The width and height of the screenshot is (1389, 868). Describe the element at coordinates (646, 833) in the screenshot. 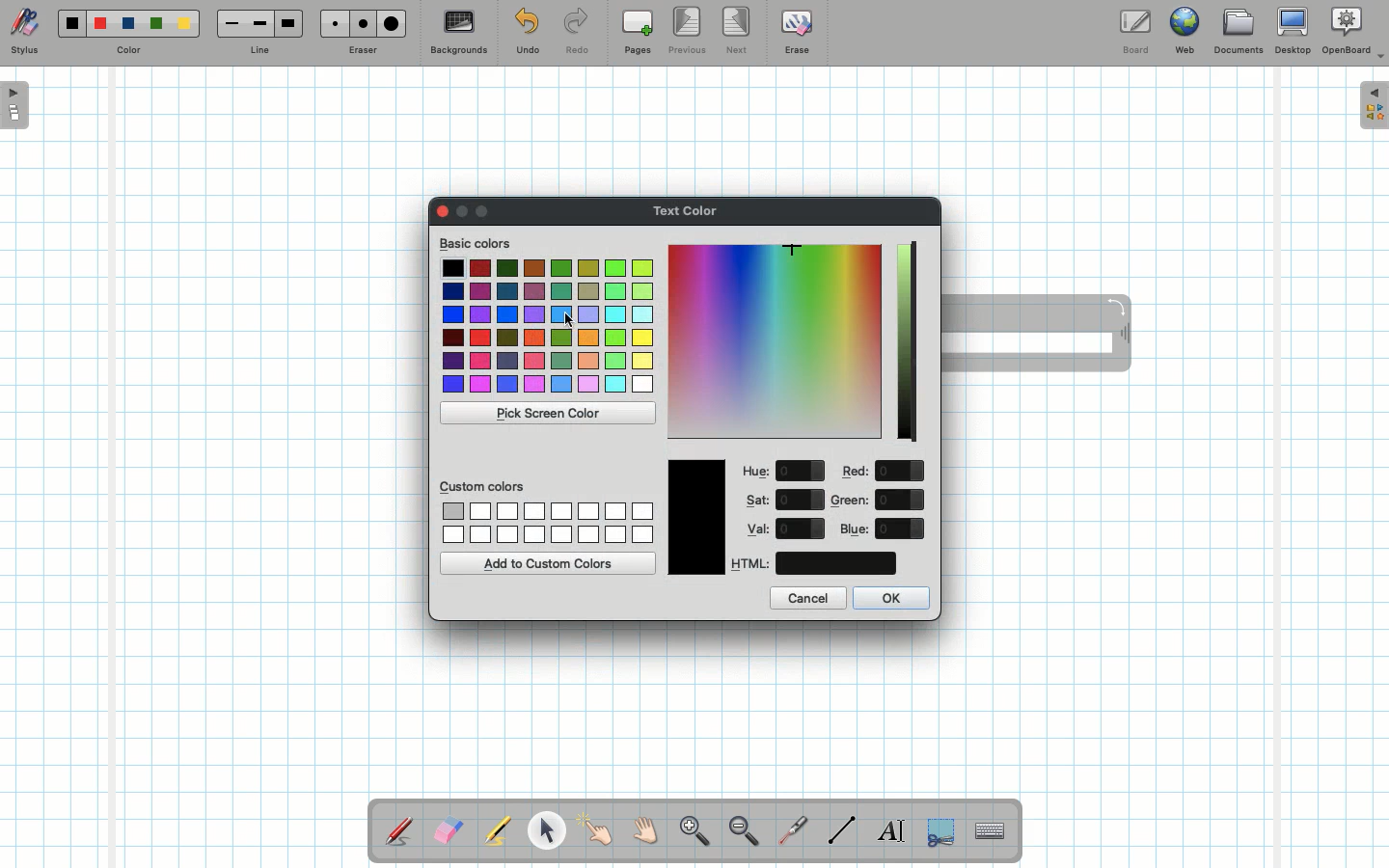

I see `Grab` at that location.